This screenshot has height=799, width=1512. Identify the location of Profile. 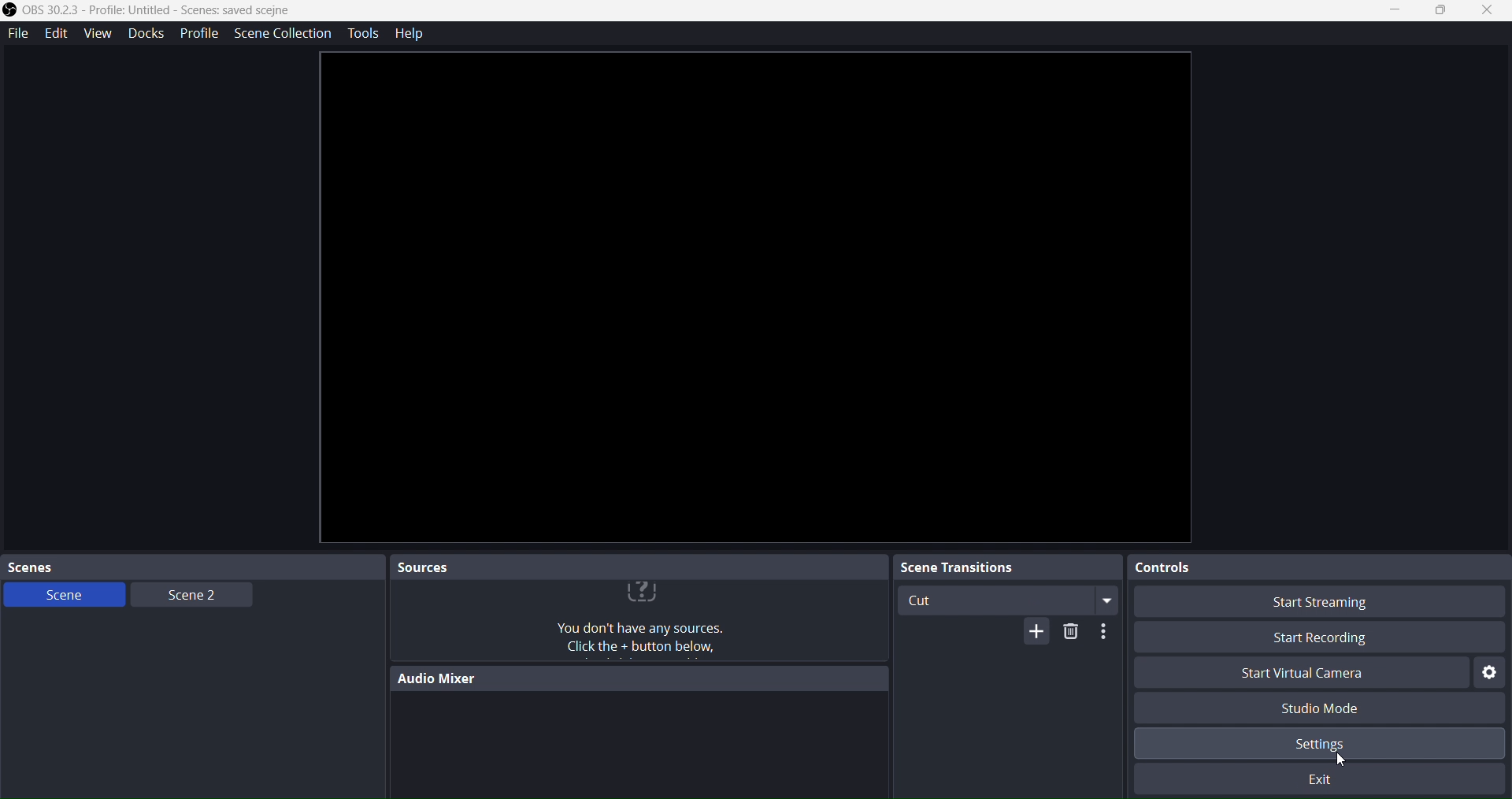
(199, 33).